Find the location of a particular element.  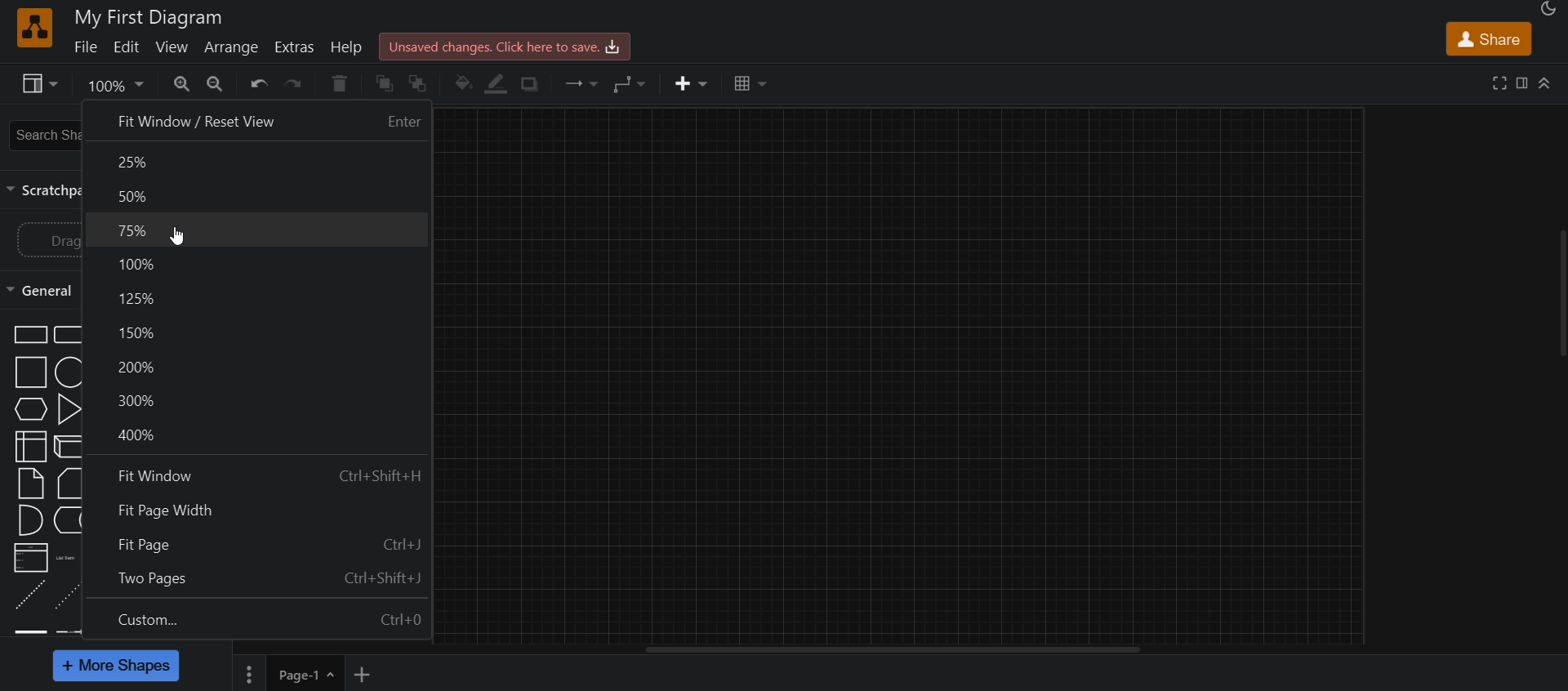

edit is located at coordinates (131, 48).